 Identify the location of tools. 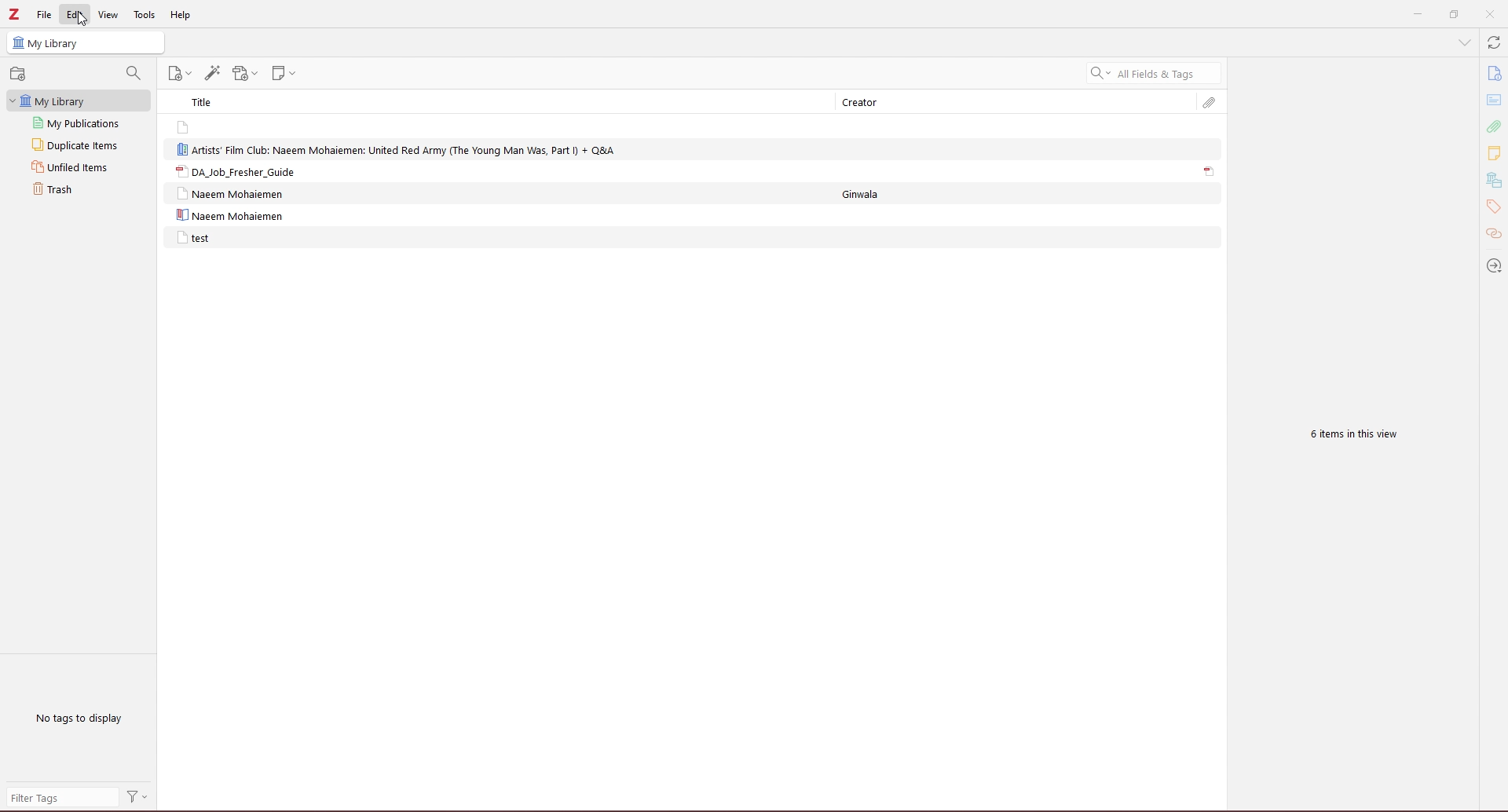
(145, 16).